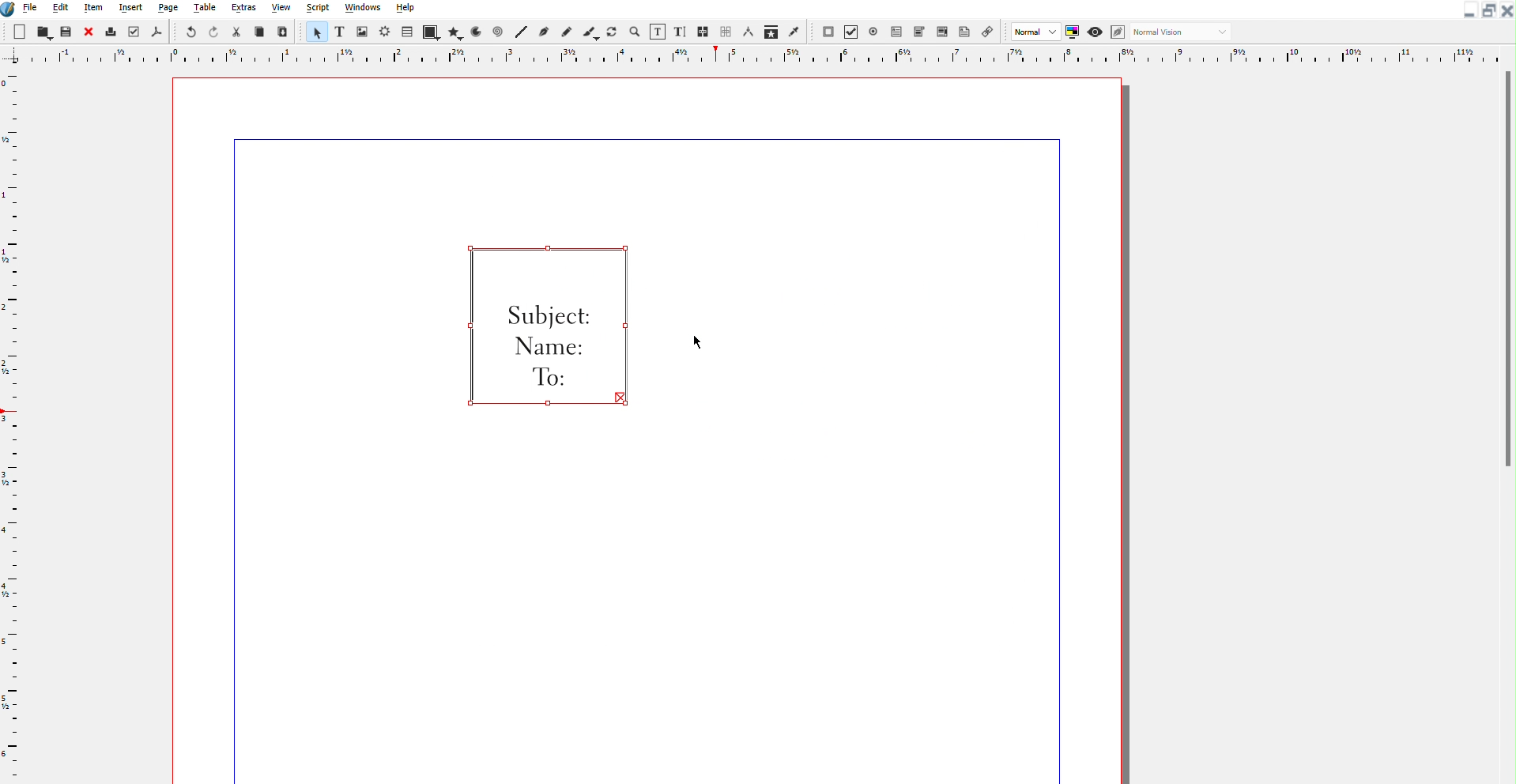 The height and width of the screenshot is (784, 1516). What do you see at coordinates (21, 32) in the screenshot?
I see `New` at bounding box center [21, 32].